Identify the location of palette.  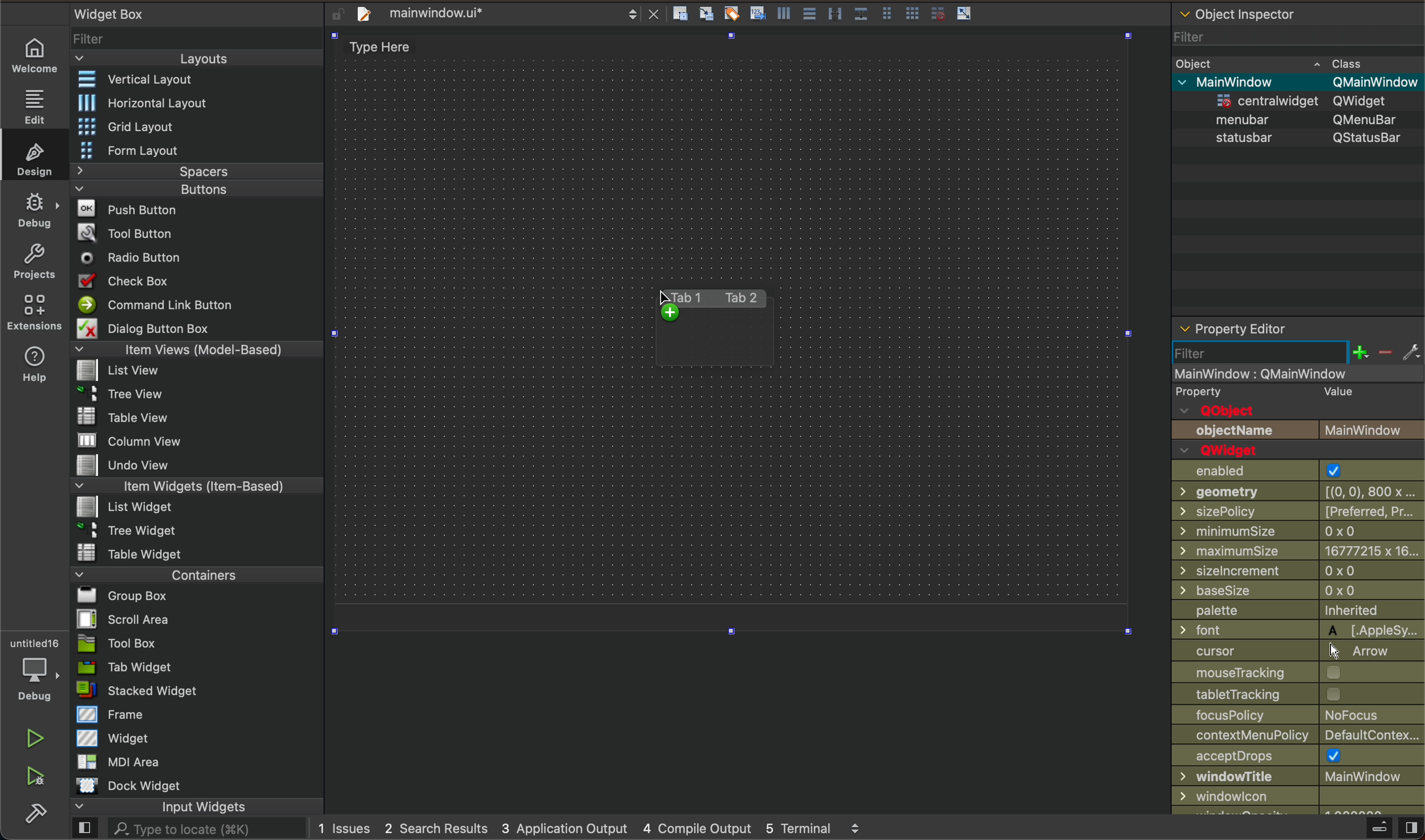
(1299, 610).